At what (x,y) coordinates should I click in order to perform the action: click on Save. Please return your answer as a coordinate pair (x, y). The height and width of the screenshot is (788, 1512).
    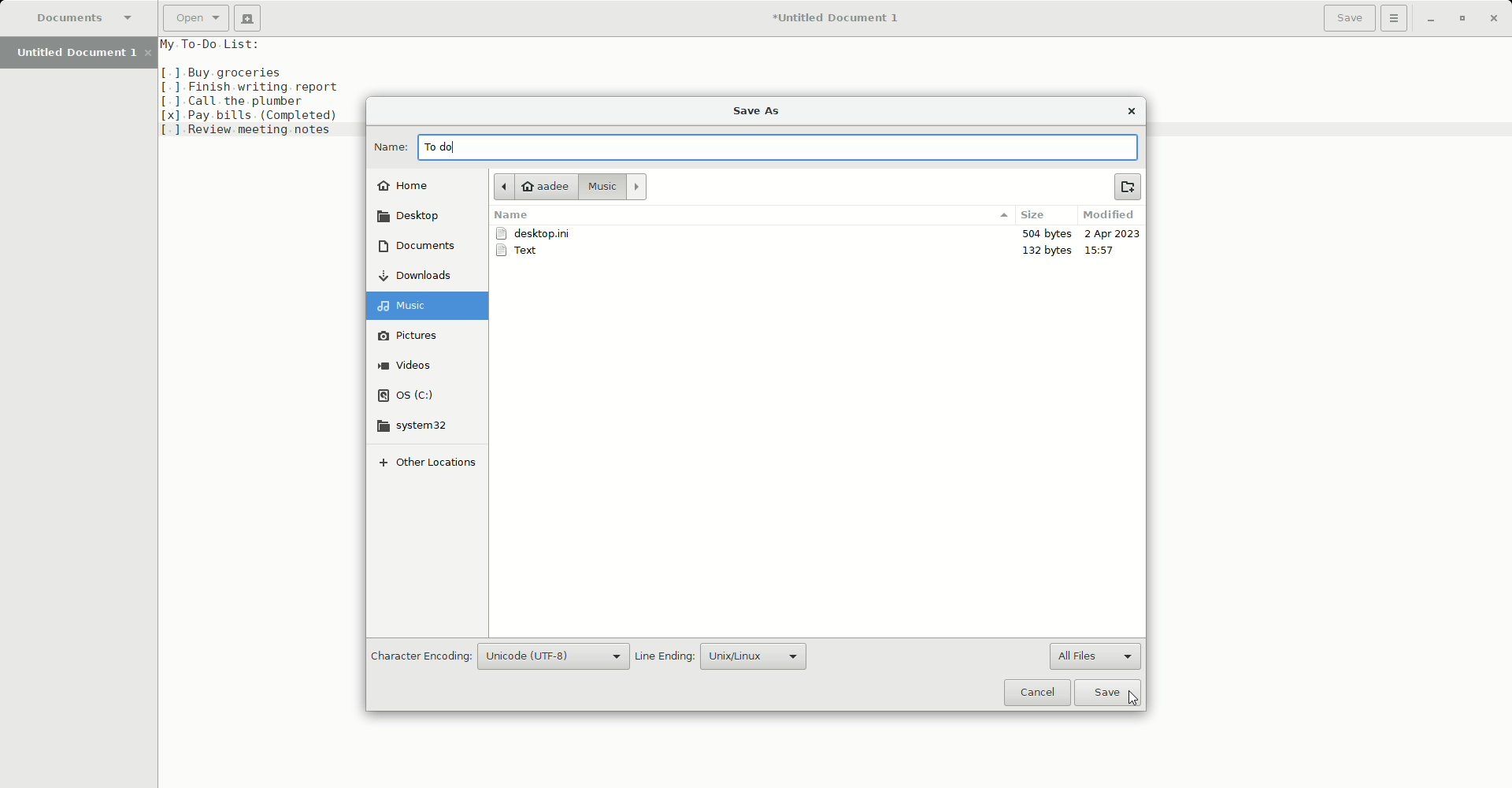
    Looking at the image, I should click on (1348, 20).